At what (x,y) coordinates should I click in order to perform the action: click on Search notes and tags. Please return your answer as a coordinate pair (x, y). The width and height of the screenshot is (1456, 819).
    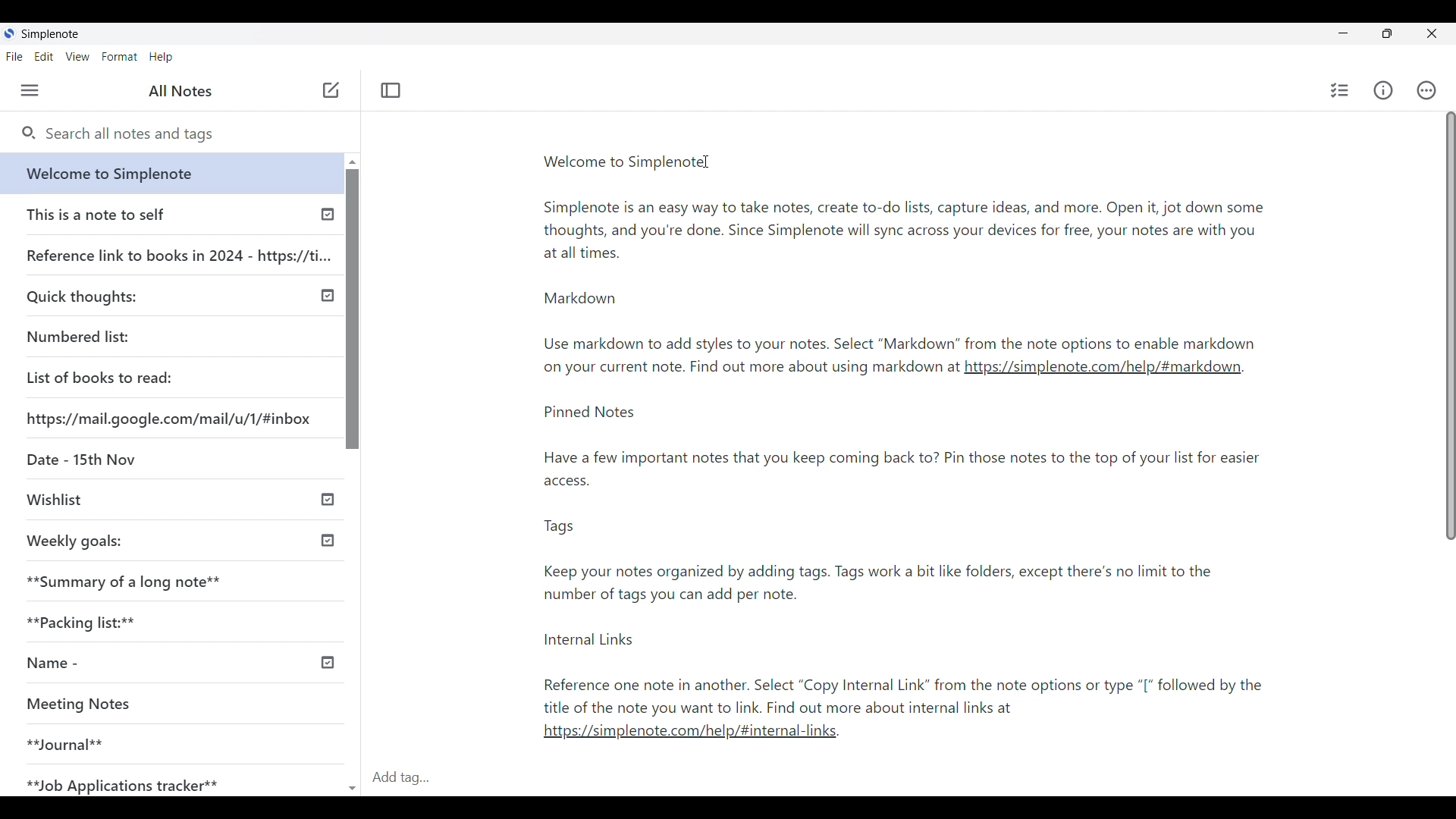
    Looking at the image, I should click on (190, 135).